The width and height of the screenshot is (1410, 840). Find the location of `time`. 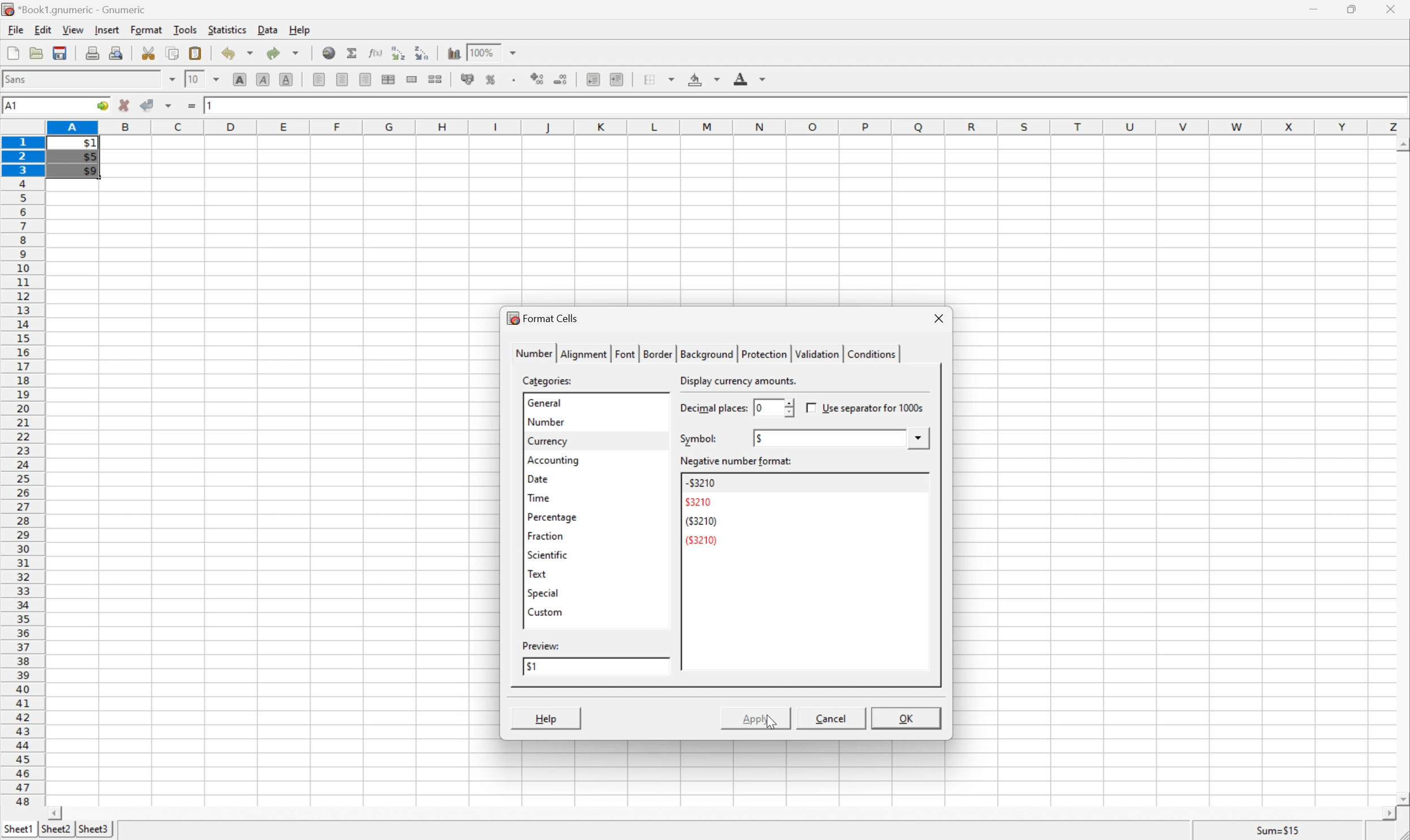

time is located at coordinates (538, 497).